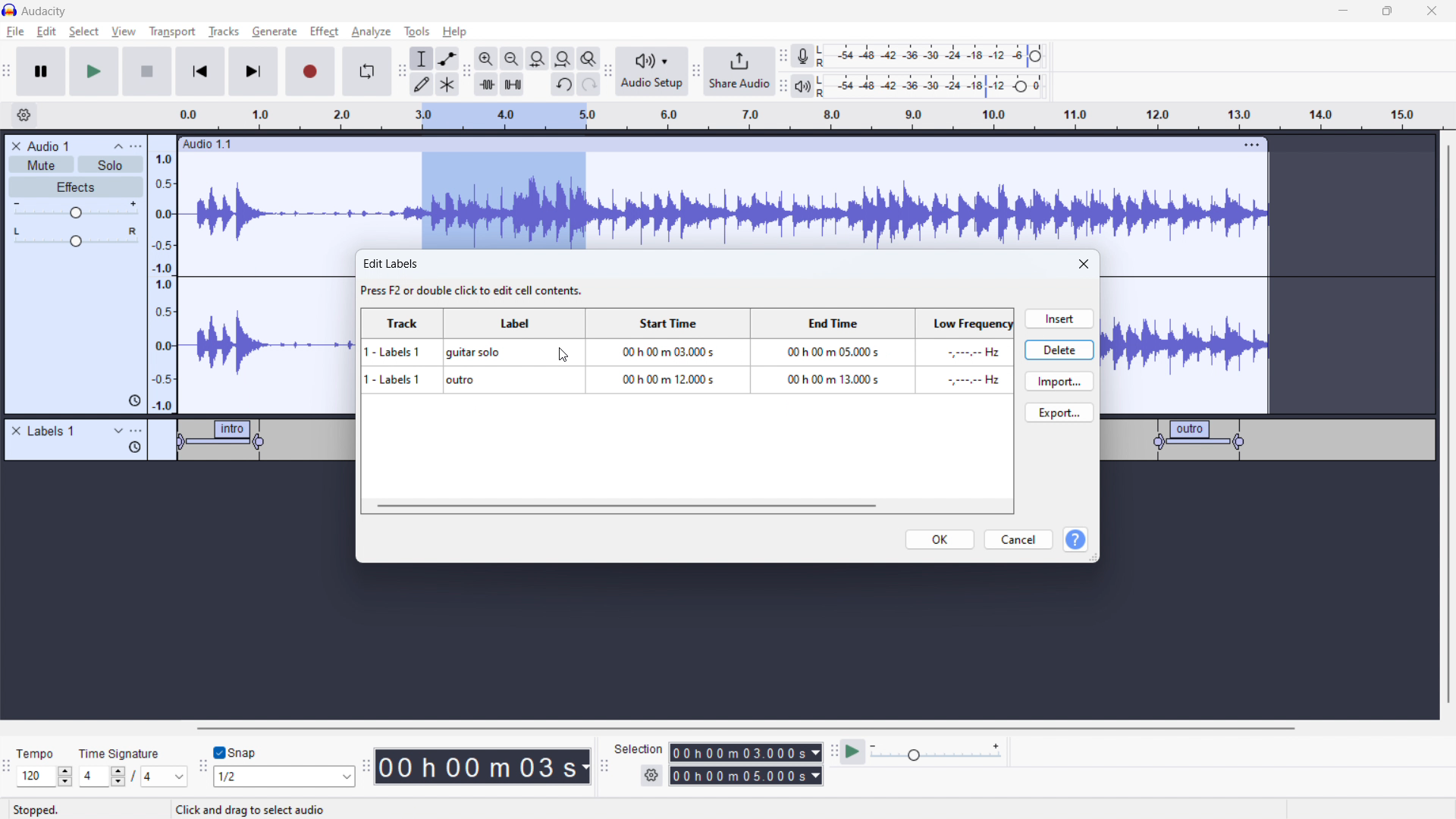 The width and height of the screenshot is (1456, 819). What do you see at coordinates (1094, 557) in the screenshot?
I see `resize` at bounding box center [1094, 557].